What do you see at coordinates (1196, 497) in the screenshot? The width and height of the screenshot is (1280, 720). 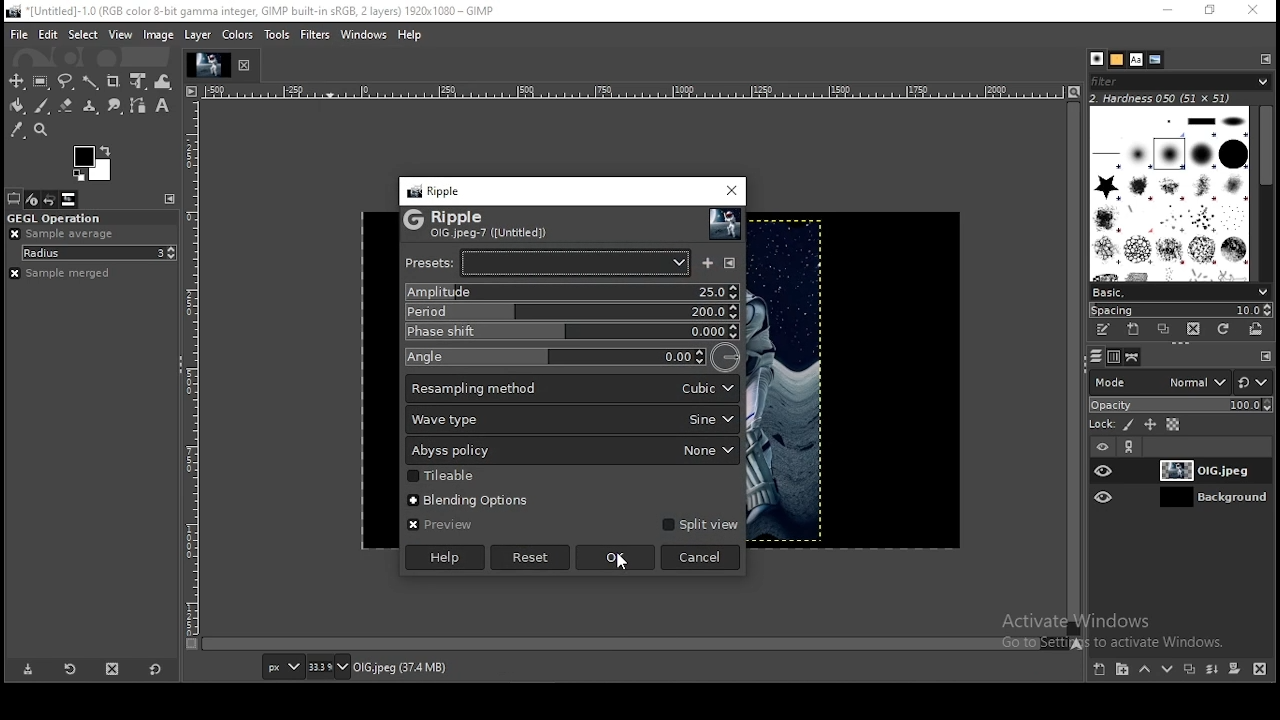 I see `layer 1` at bounding box center [1196, 497].